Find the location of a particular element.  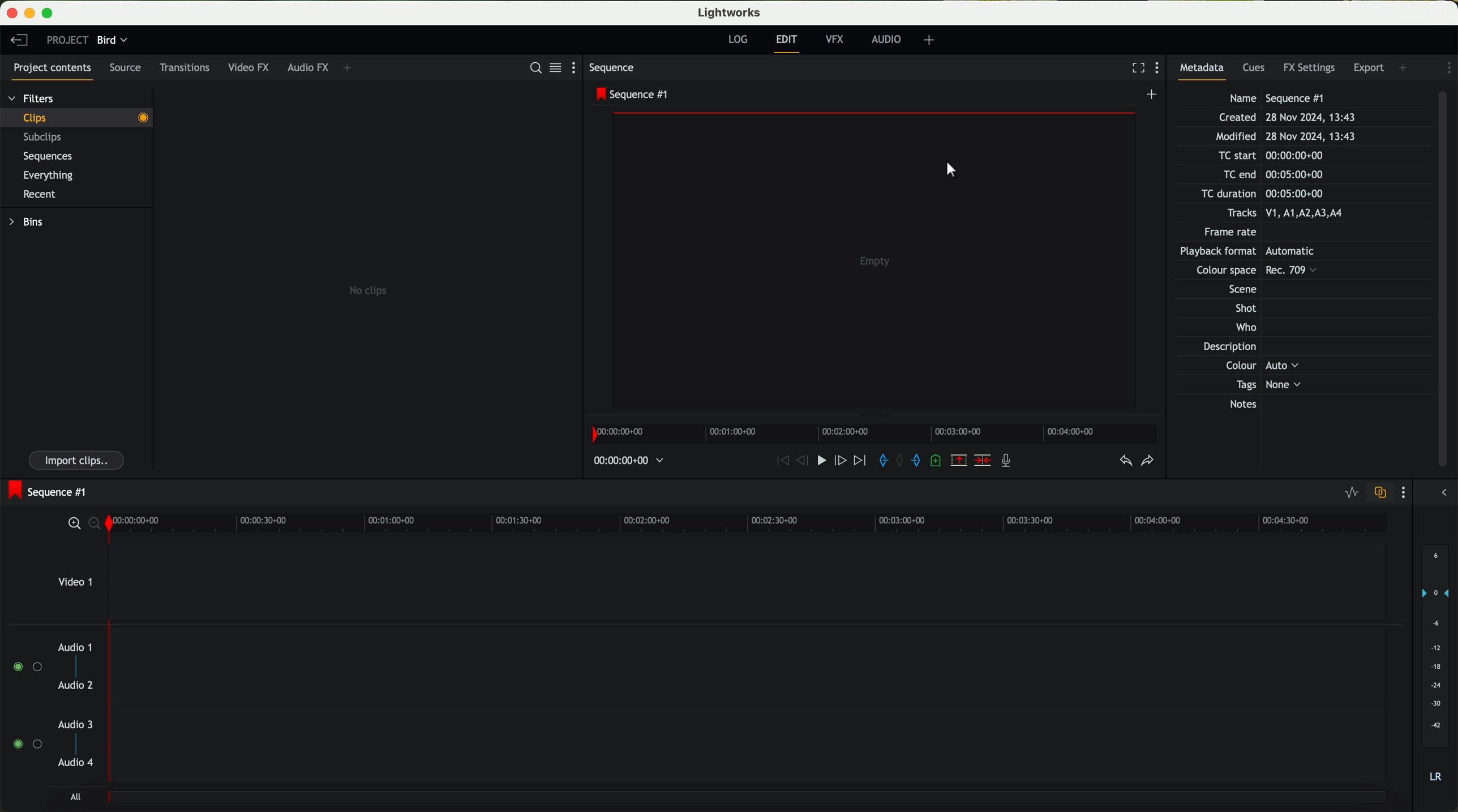

sequence #1 is located at coordinates (45, 492).